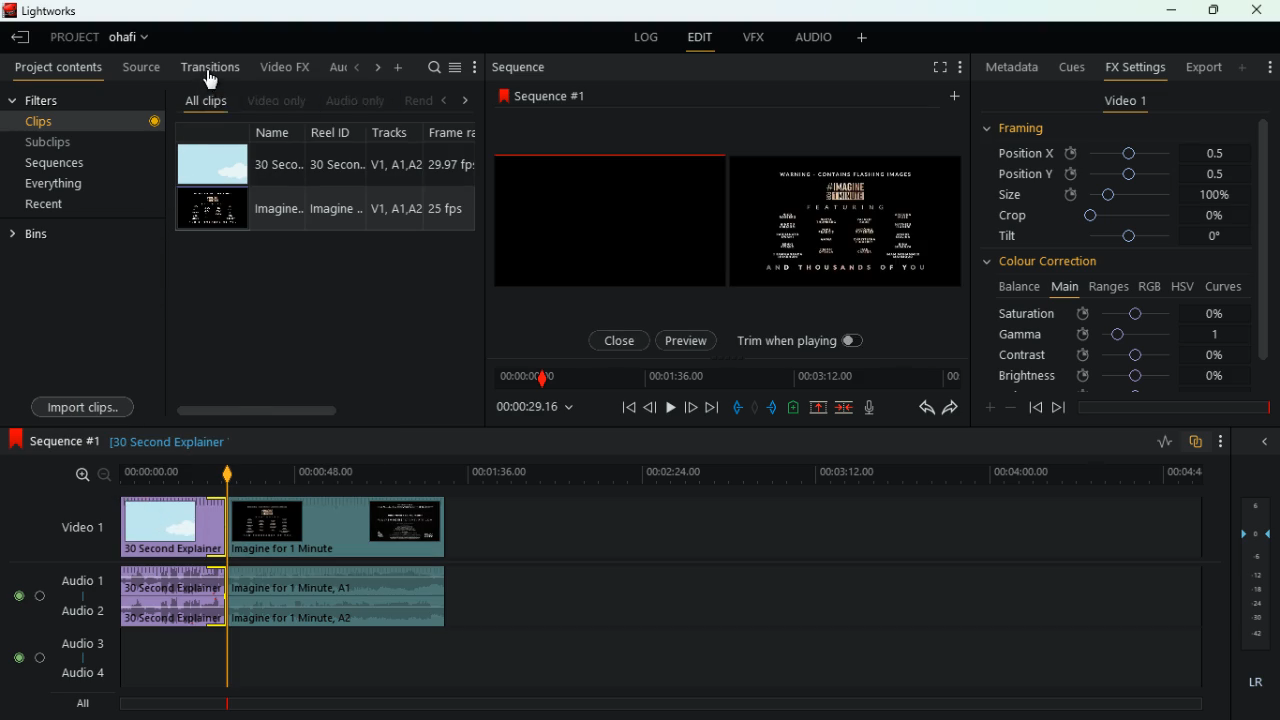 The image size is (1280, 720). Describe the element at coordinates (66, 204) in the screenshot. I see `recent` at that location.